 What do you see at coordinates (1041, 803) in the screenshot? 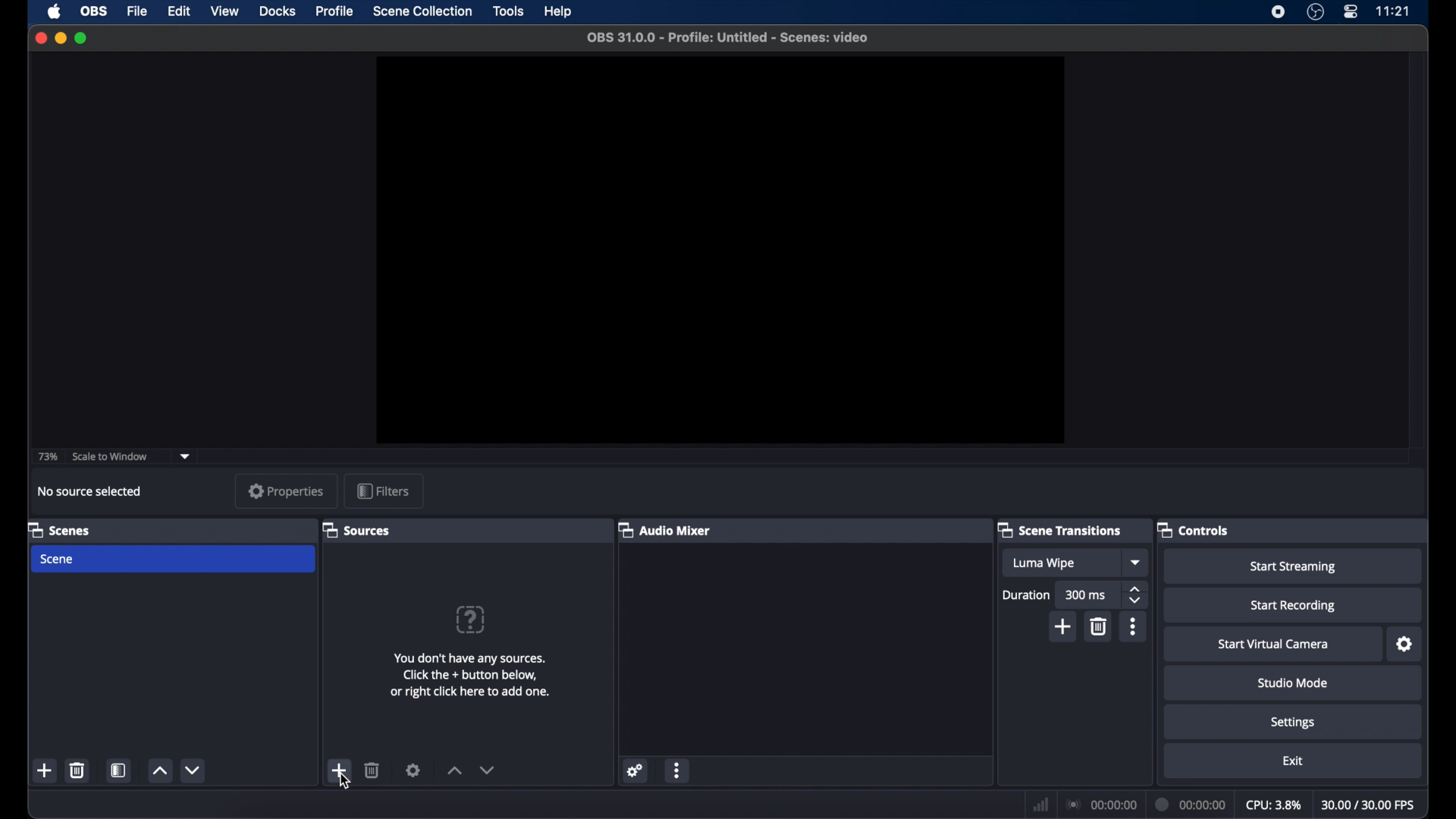
I see `network` at bounding box center [1041, 803].